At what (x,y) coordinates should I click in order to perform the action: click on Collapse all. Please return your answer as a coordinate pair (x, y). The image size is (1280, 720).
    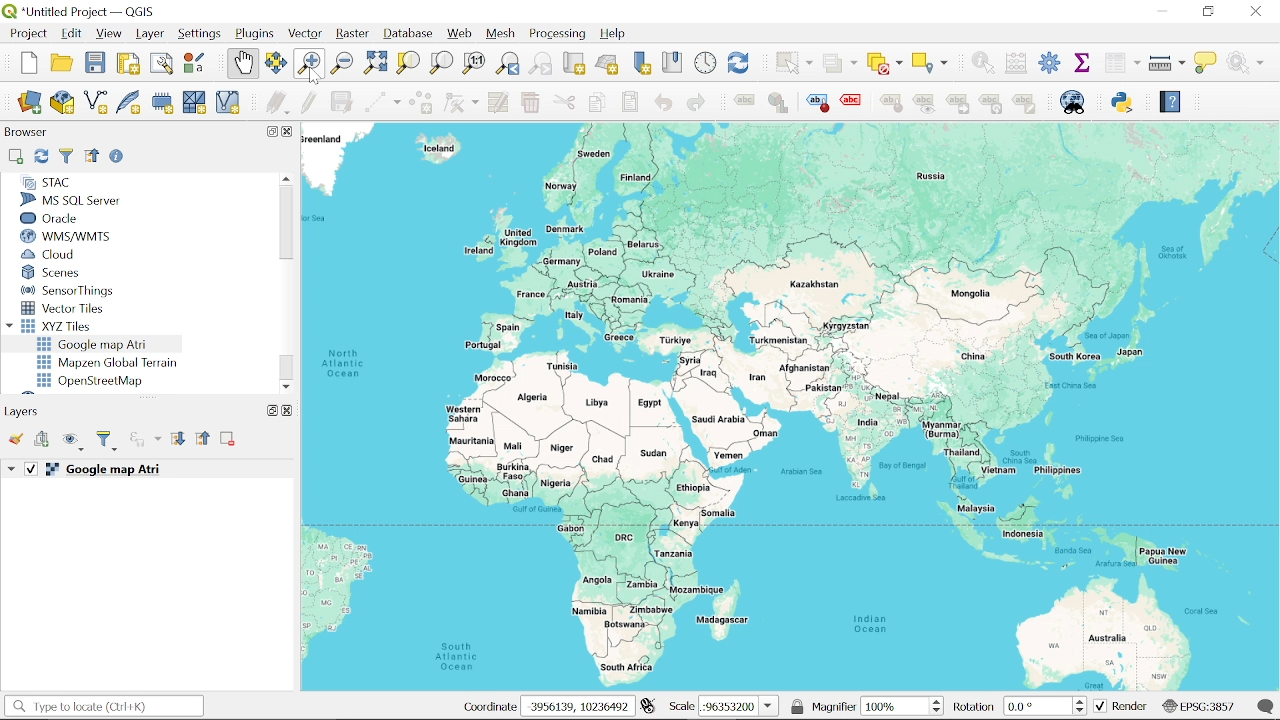
    Looking at the image, I should click on (204, 440).